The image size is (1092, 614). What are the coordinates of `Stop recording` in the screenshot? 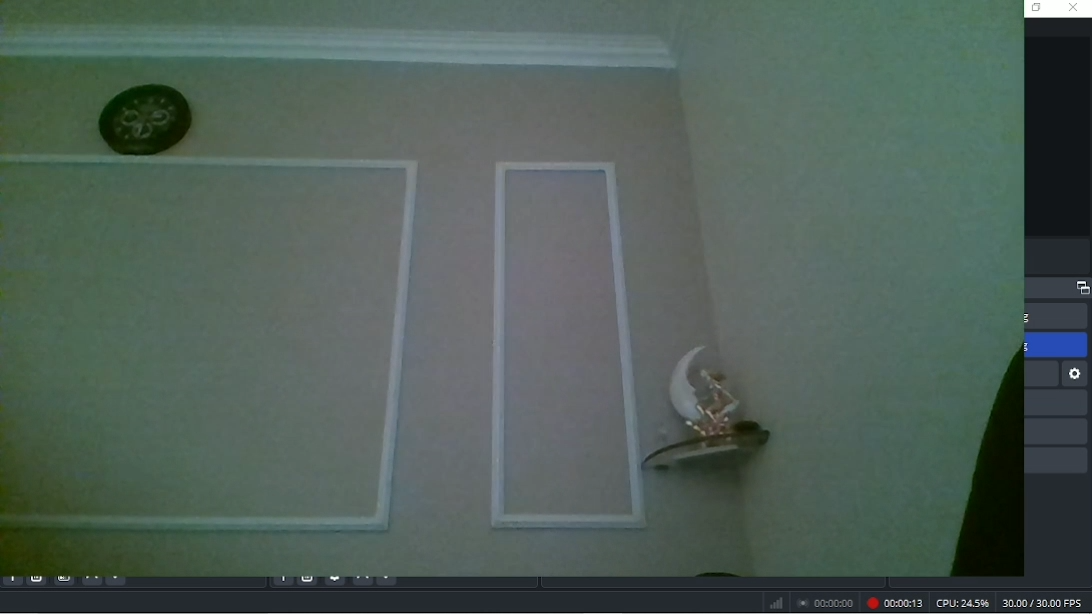 It's located at (825, 604).